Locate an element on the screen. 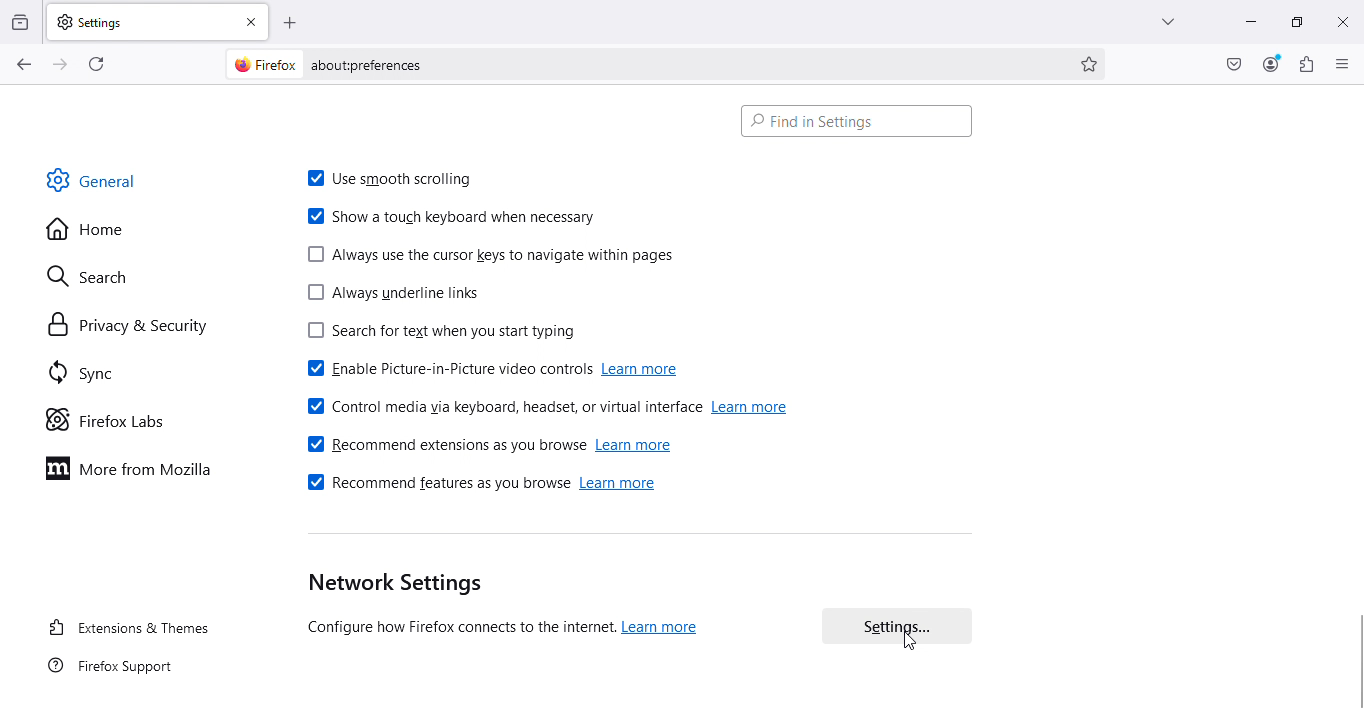  Firefox support is located at coordinates (113, 670).